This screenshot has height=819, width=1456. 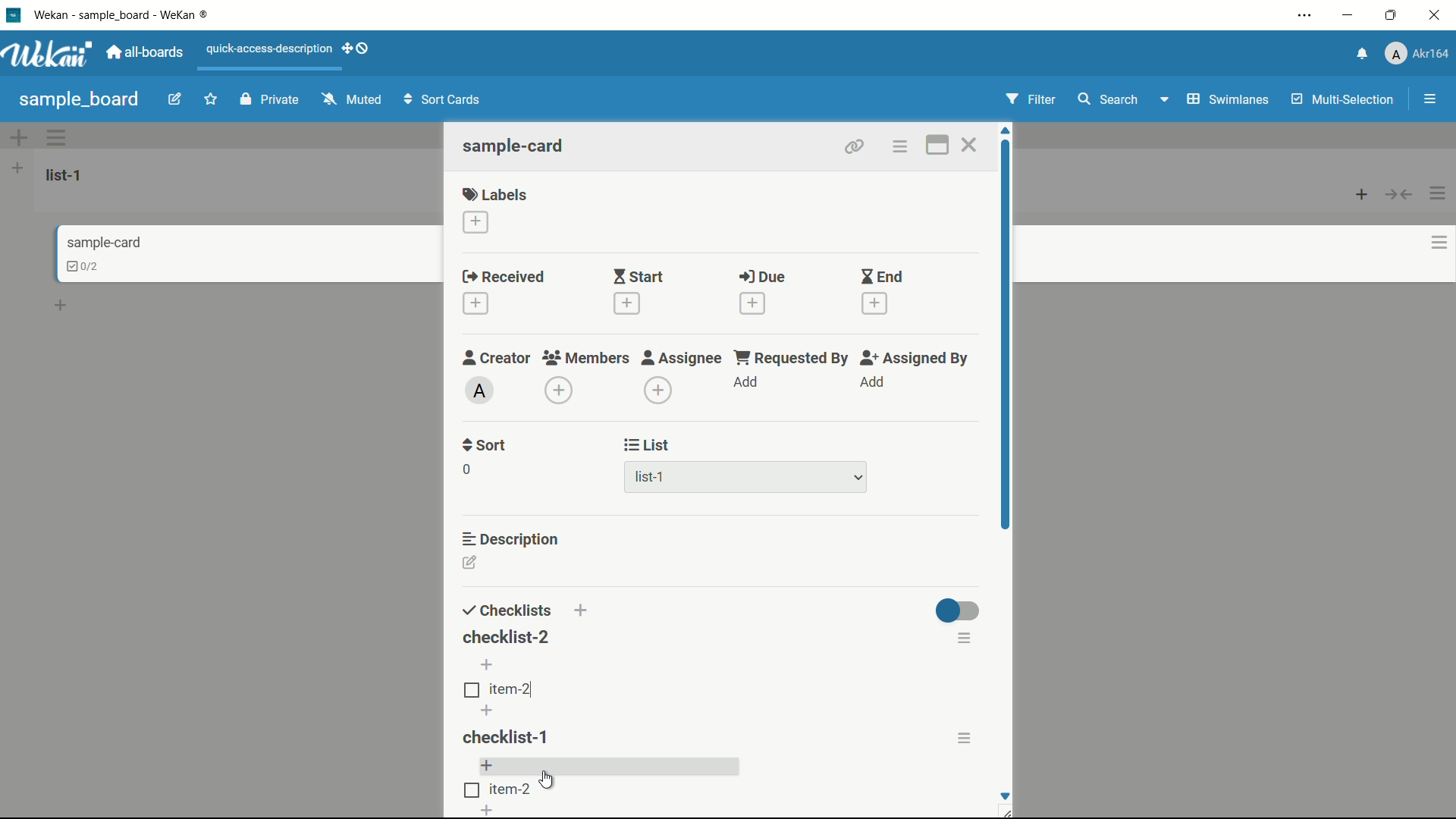 What do you see at coordinates (608, 767) in the screenshot?
I see `add item` at bounding box center [608, 767].